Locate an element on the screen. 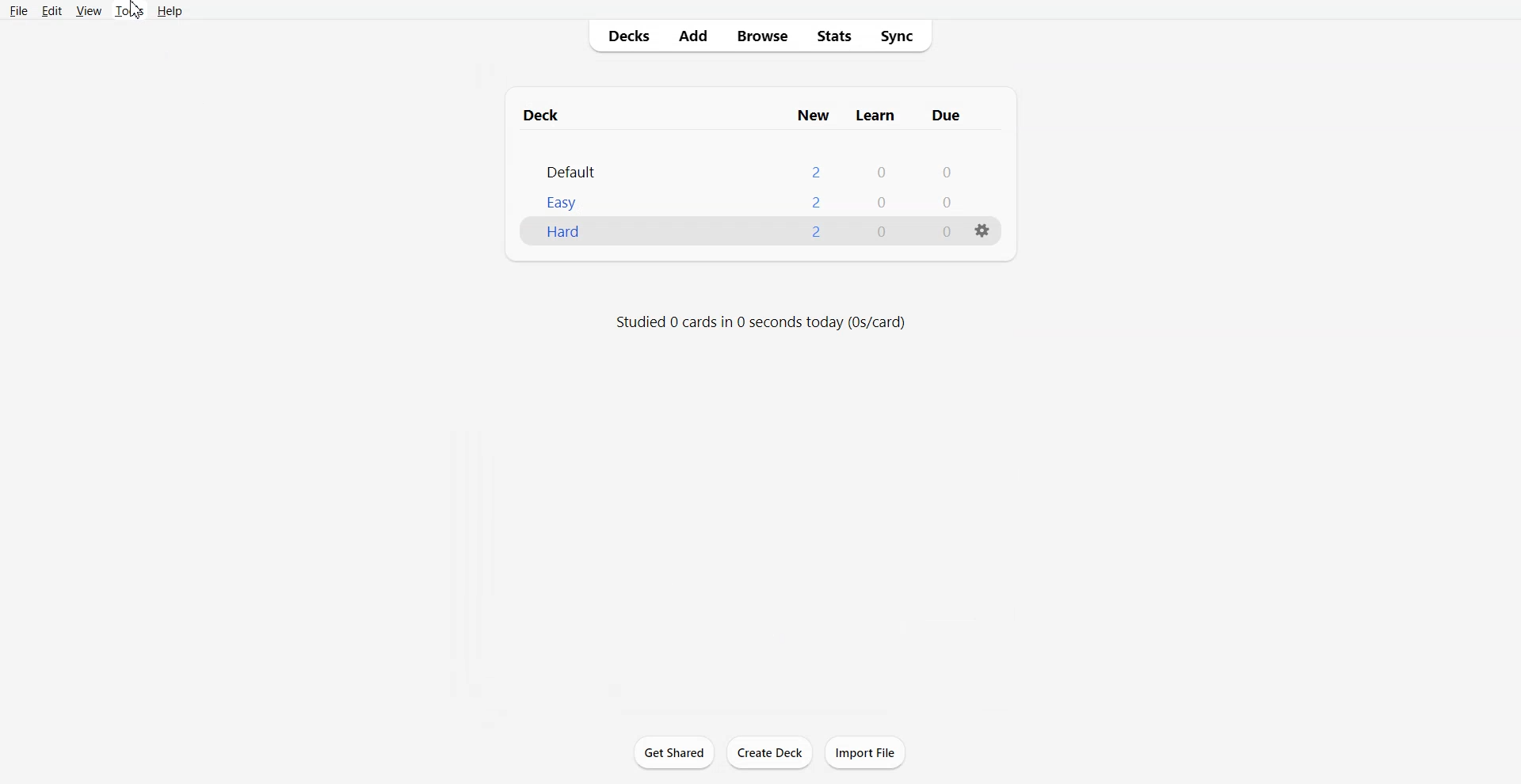 Image resolution: width=1521 pixels, height=784 pixels. studied 0 cards in 0 seconds today (0s/card) is located at coordinates (755, 323).